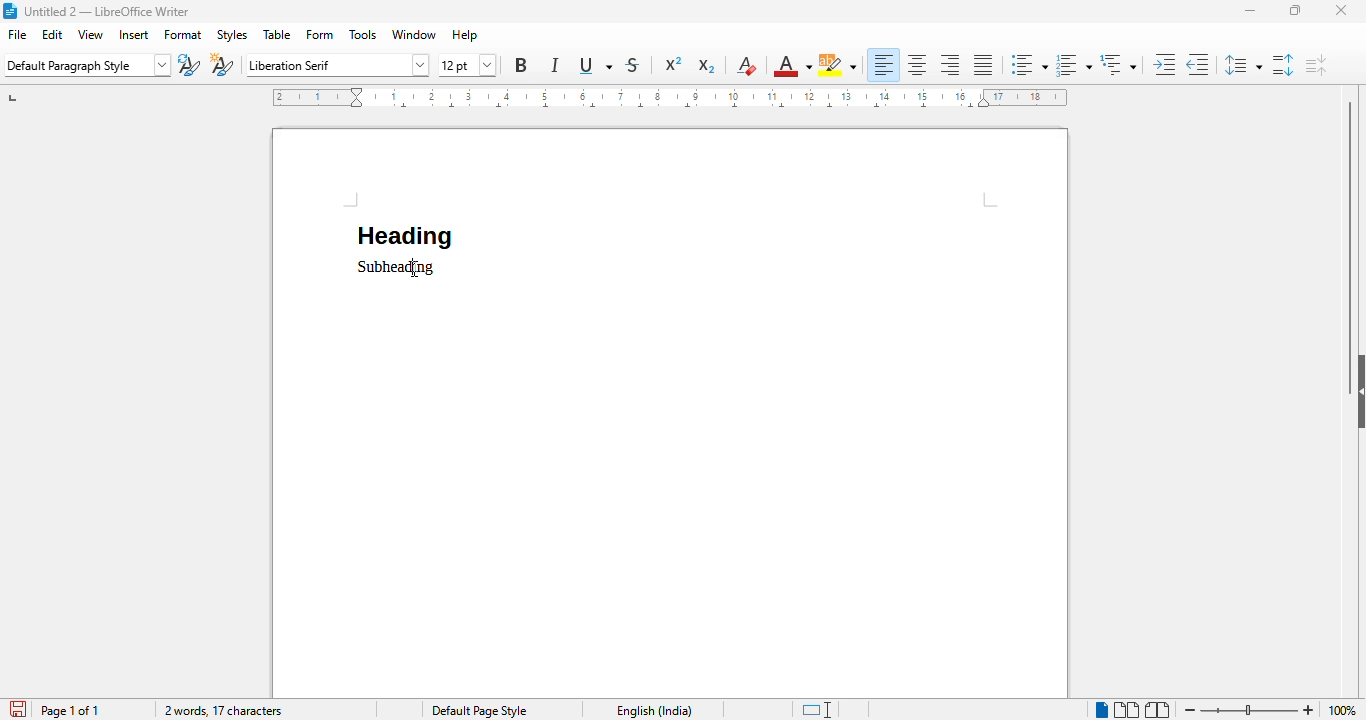 Image resolution: width=1366 pixels, height=720 pixels. I want to click on ruler, so click(670, 97).